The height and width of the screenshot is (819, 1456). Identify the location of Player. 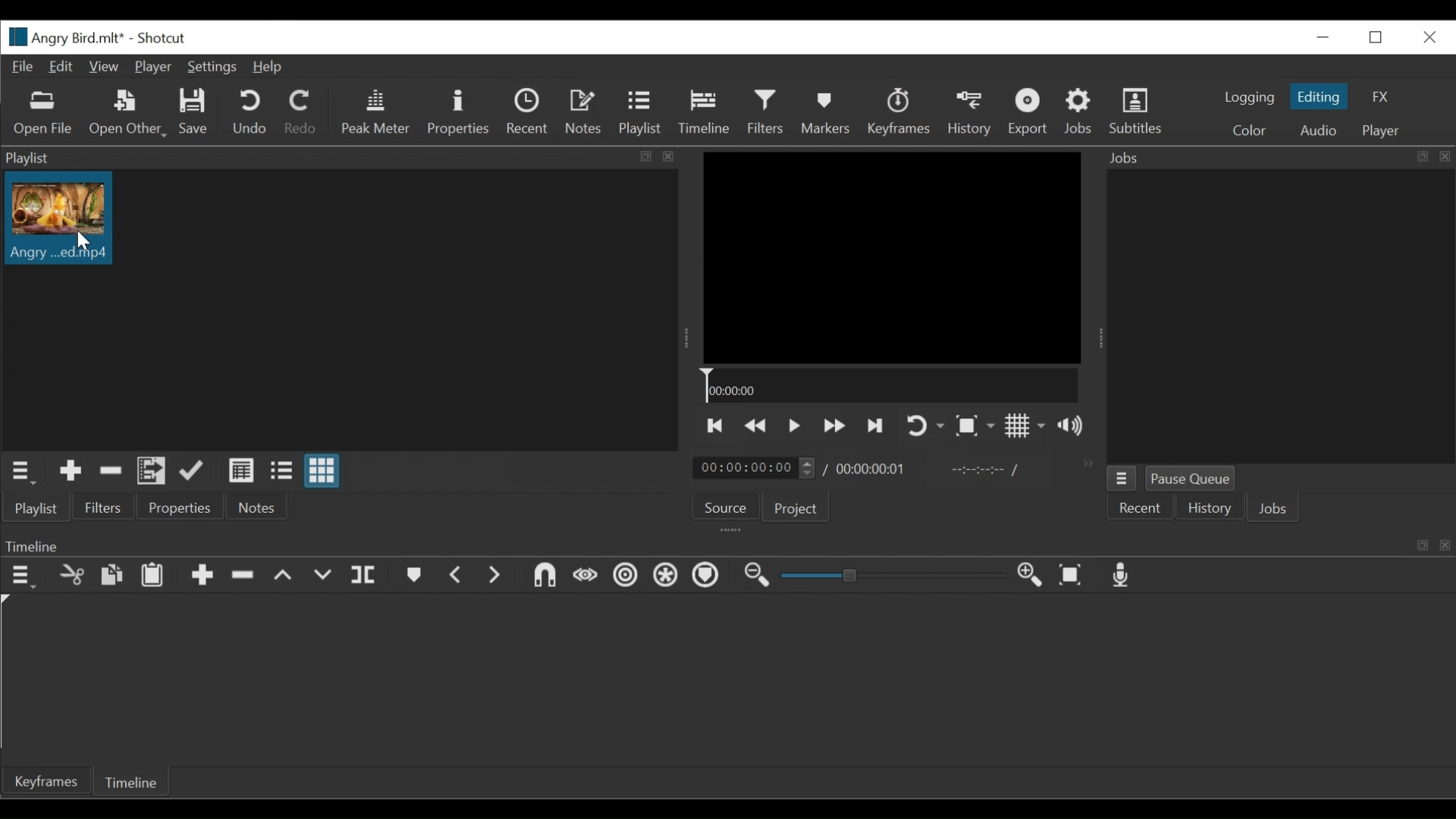
(1380, 131).